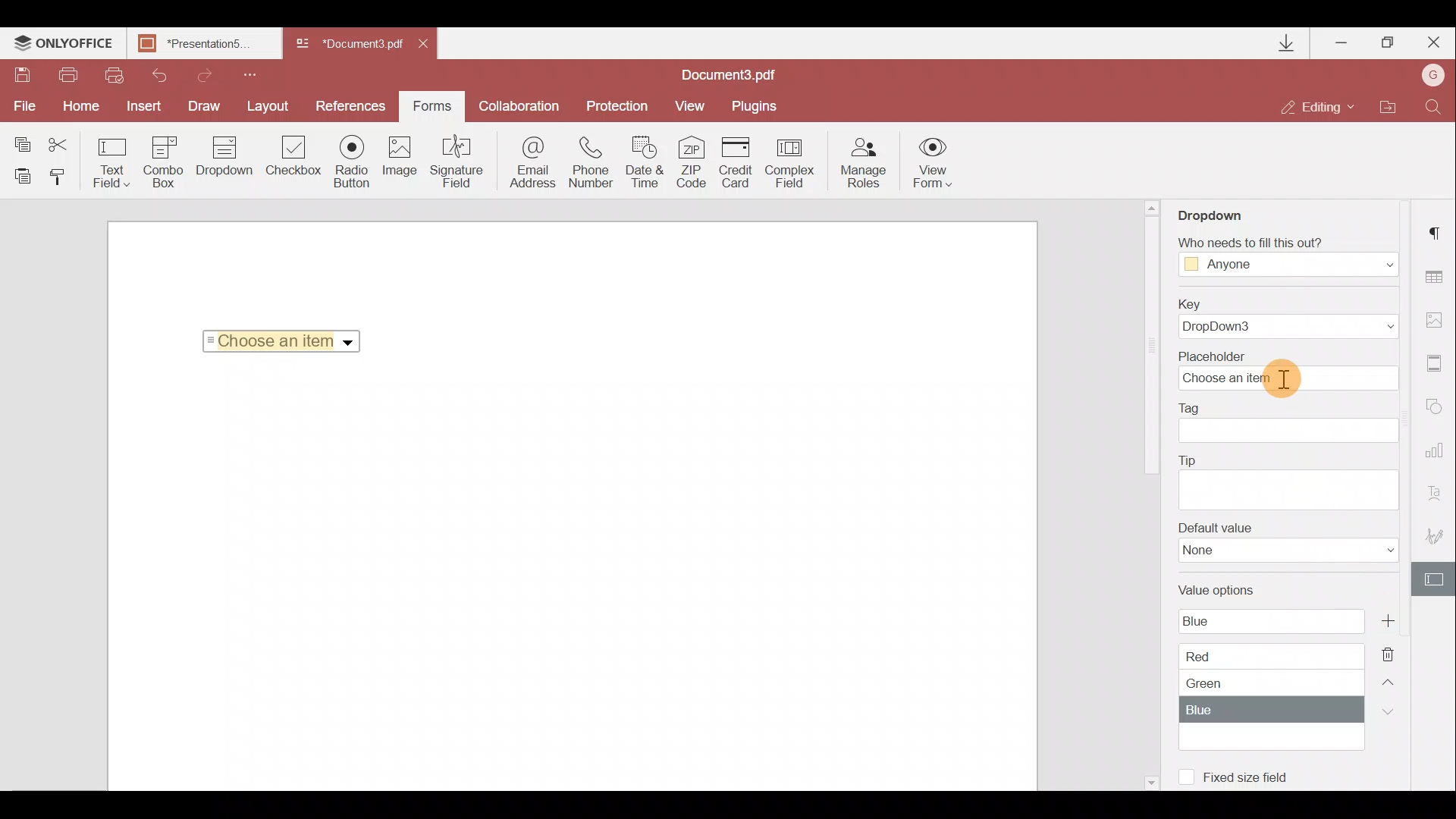  I want to click on Image settings, so click(1439, 319).